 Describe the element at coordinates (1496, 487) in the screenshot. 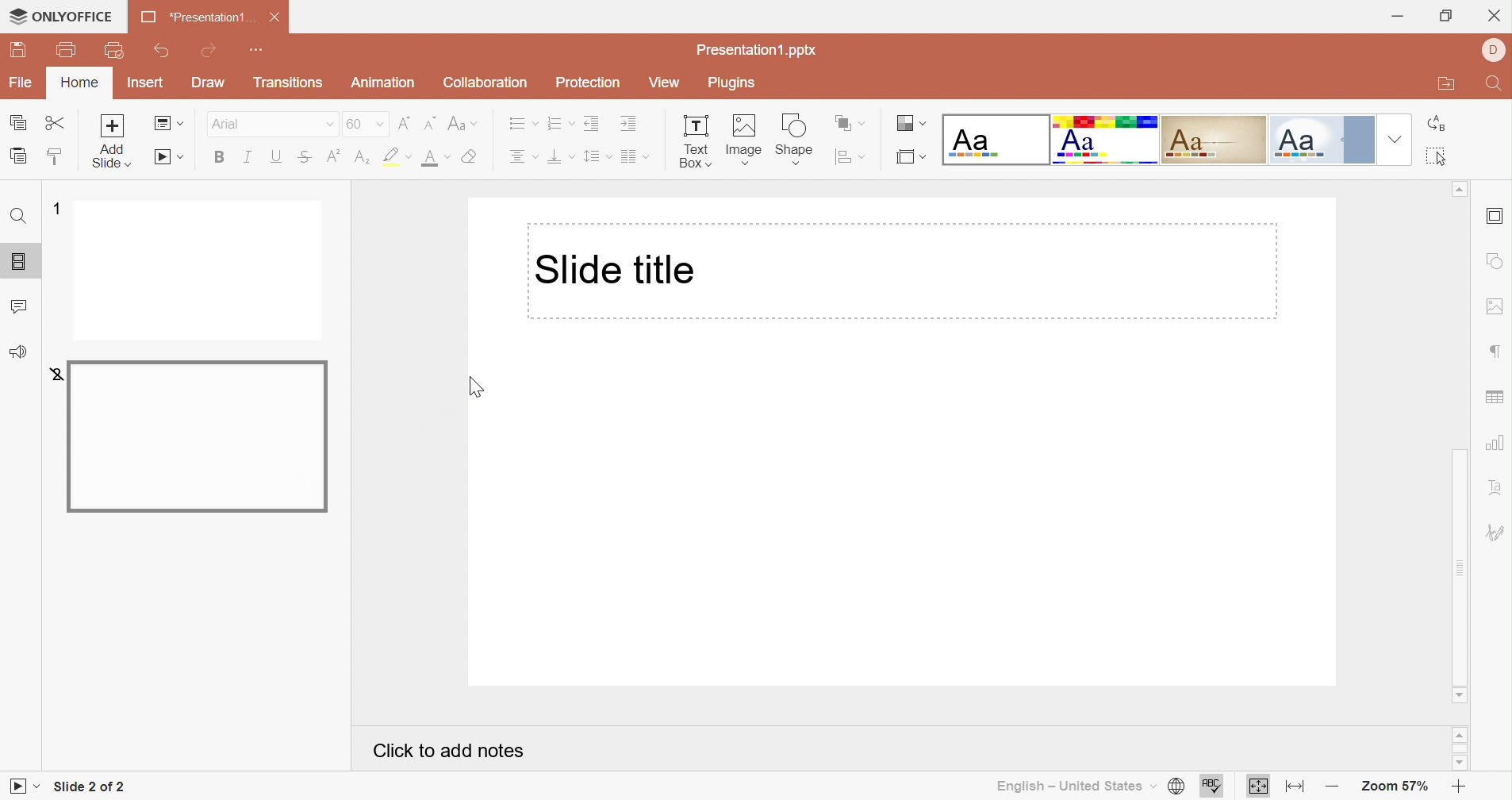

I see `Text Art settings` at that location.